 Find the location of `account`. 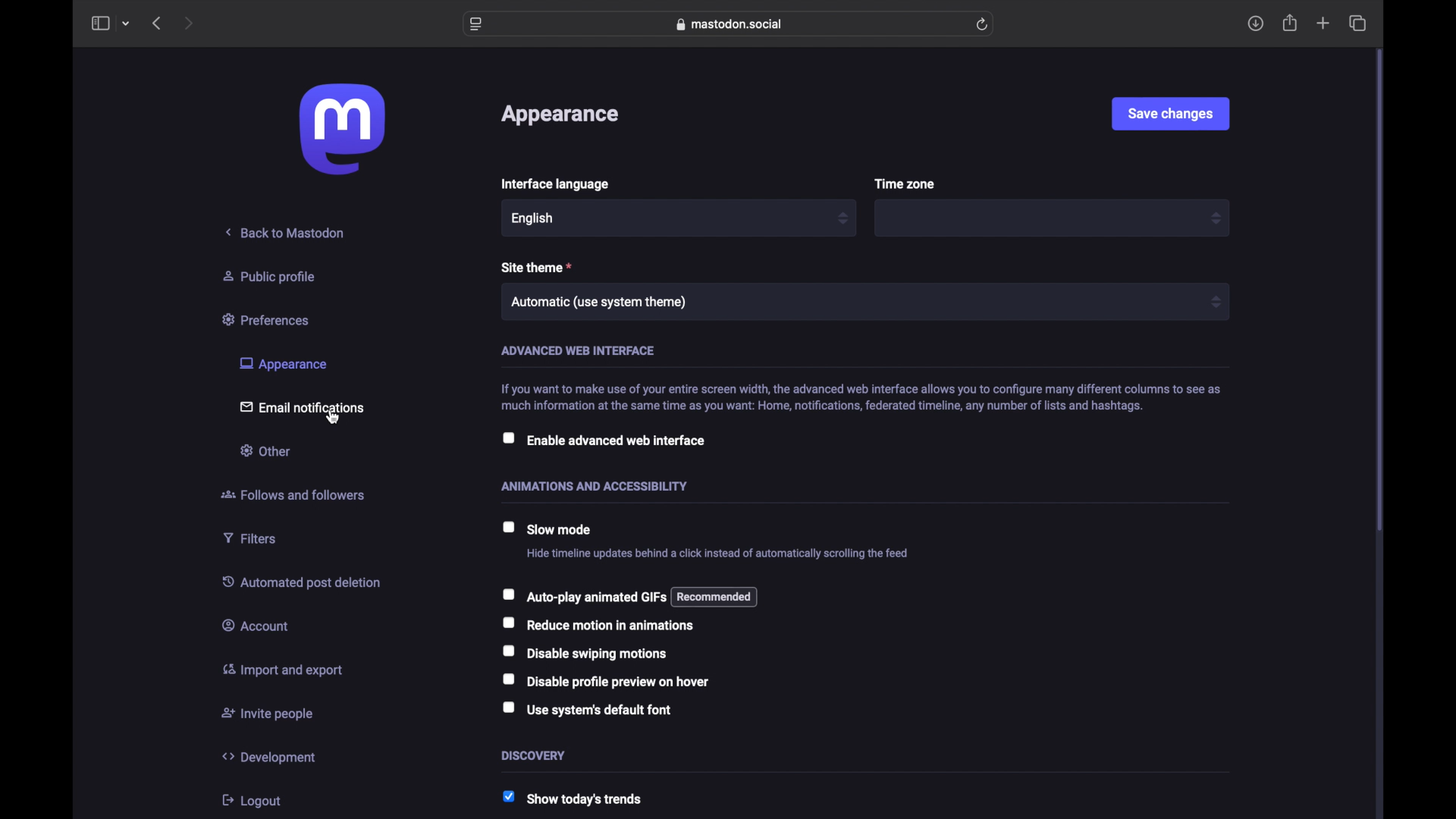

account is located at coordinates (256, 624).